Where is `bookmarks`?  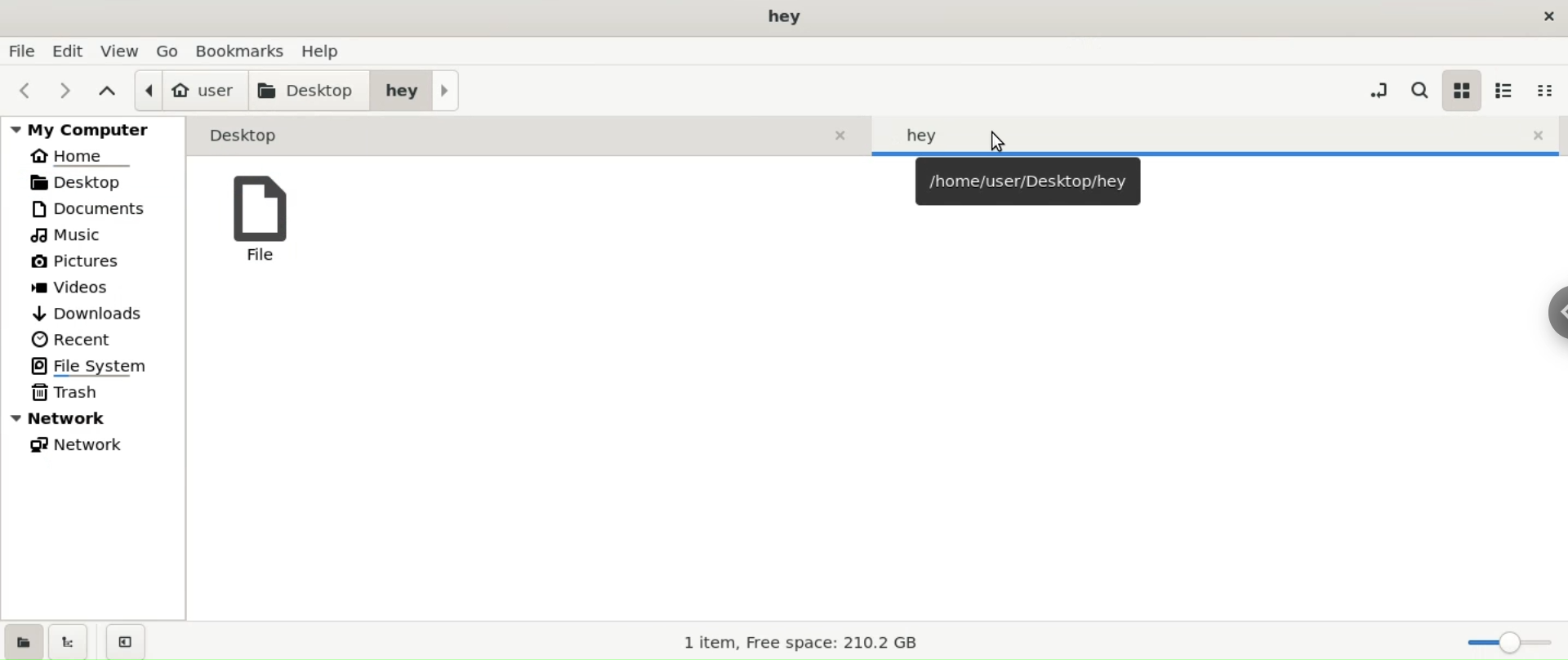
bookmarks is located at coordinates (240, 51).